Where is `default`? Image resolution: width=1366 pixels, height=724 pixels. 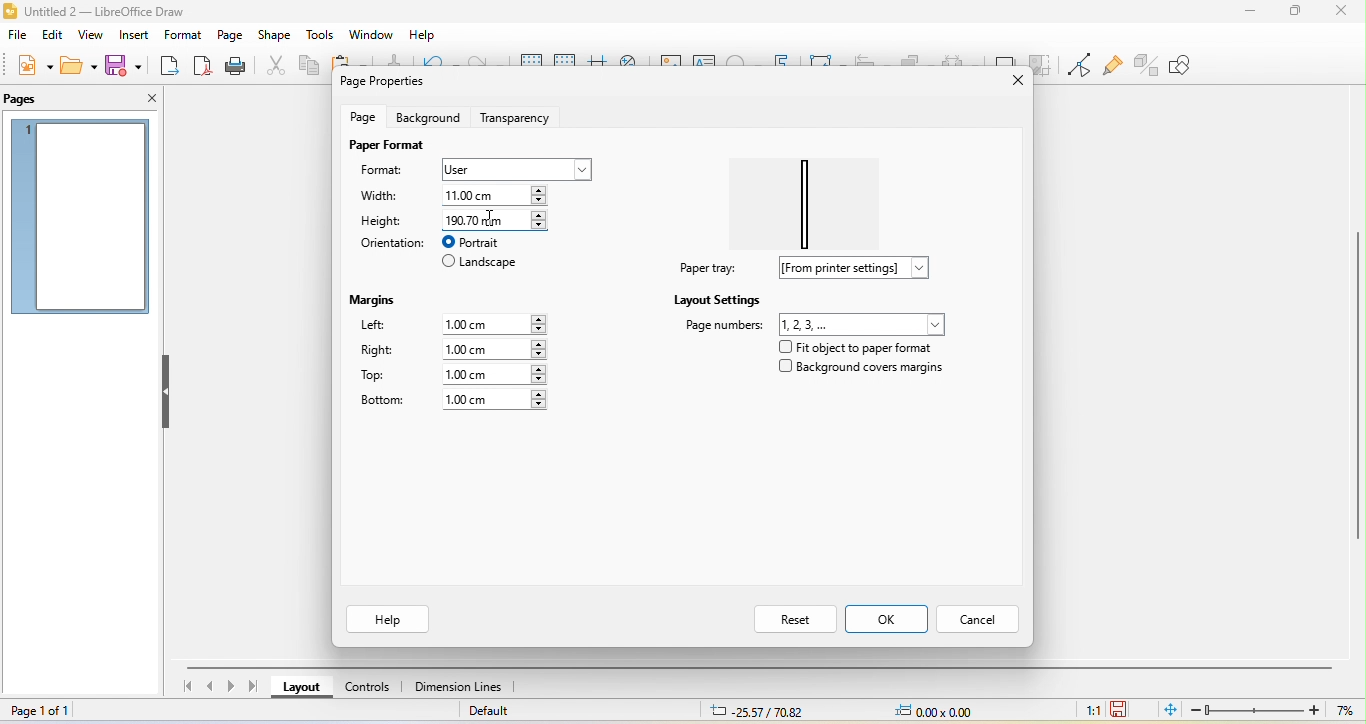
default is located at coordinates (501, 713).